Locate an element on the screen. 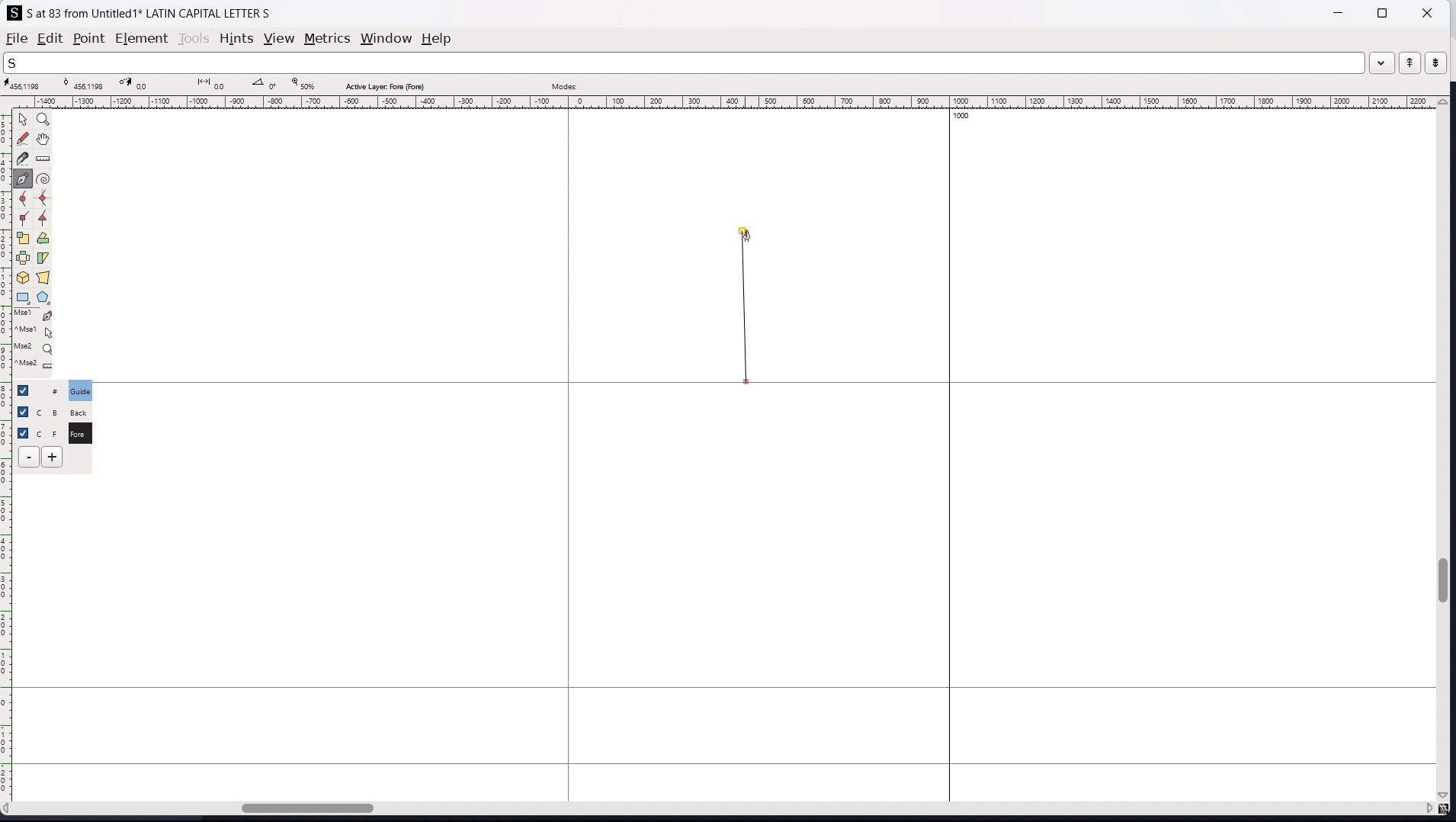 The image size is (1456, 822). add a curve point always either vertically or horizontally is located at coordinates (44, 199).